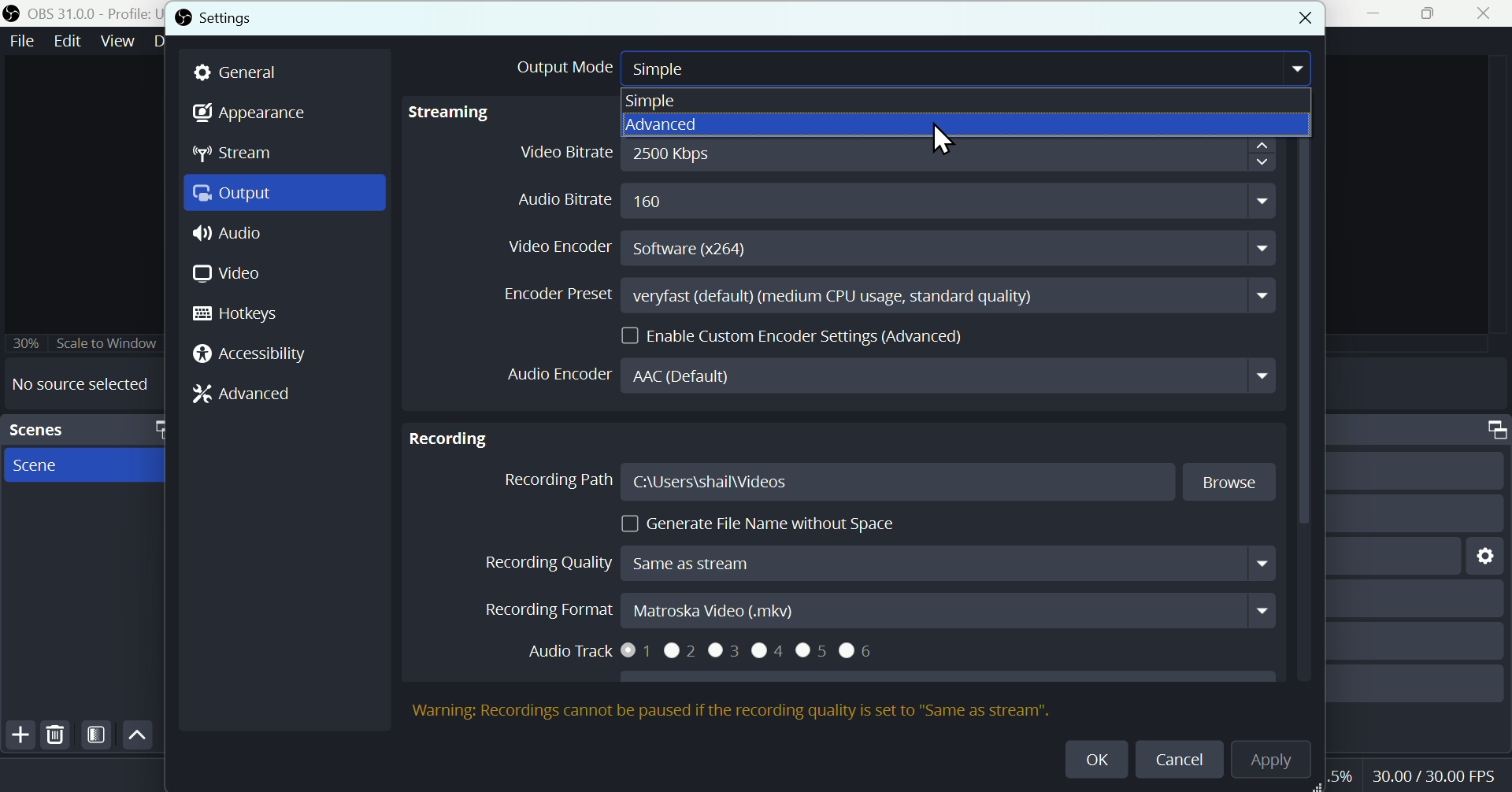 The width and height of the screenshot is (1512, 792). What do you see at coordinates (97, 735) in the screenshot?
I see `Filter` at bounding box center [97, 735].